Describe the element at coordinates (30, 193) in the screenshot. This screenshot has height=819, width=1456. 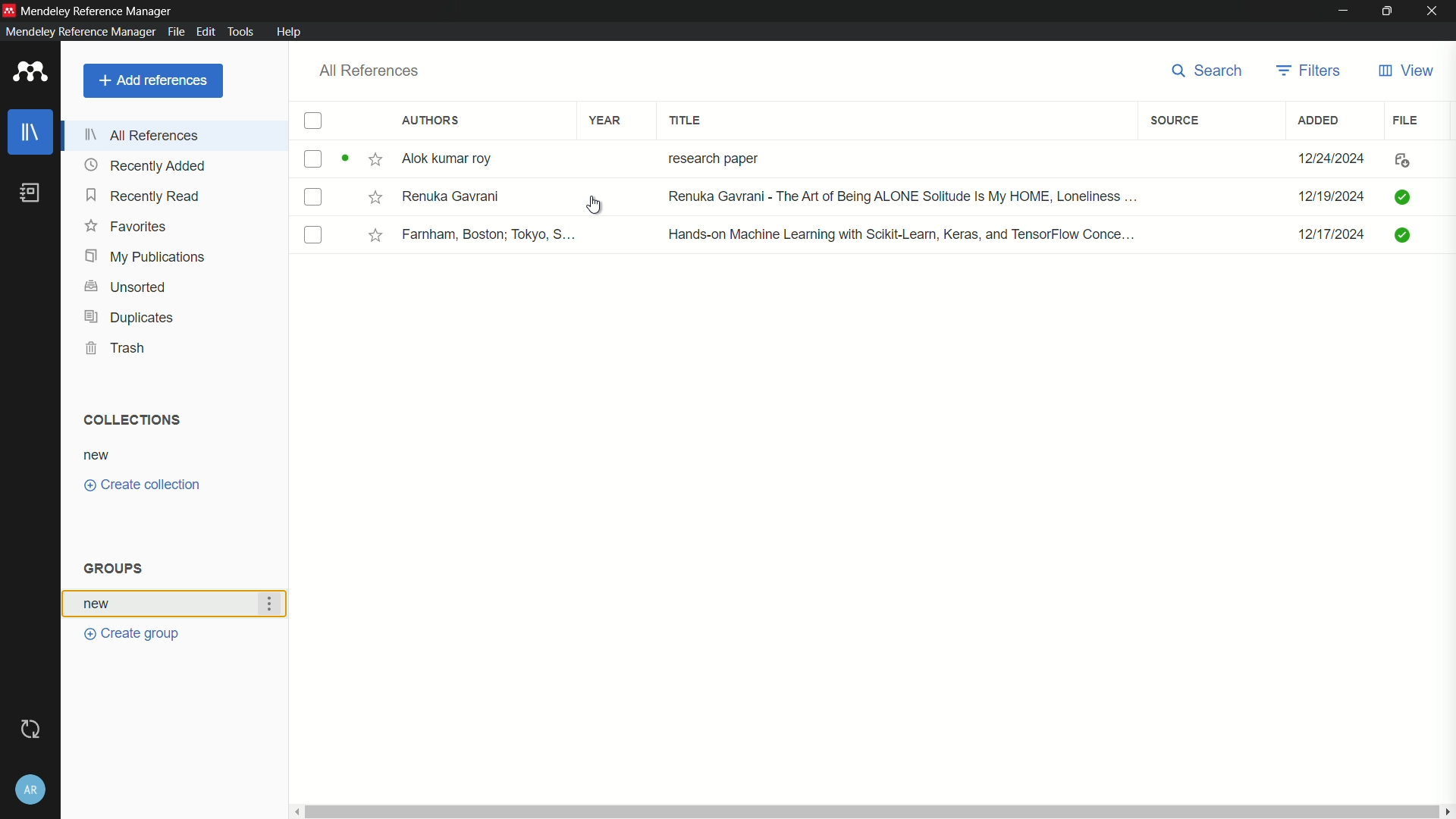
I see `book` at that location.